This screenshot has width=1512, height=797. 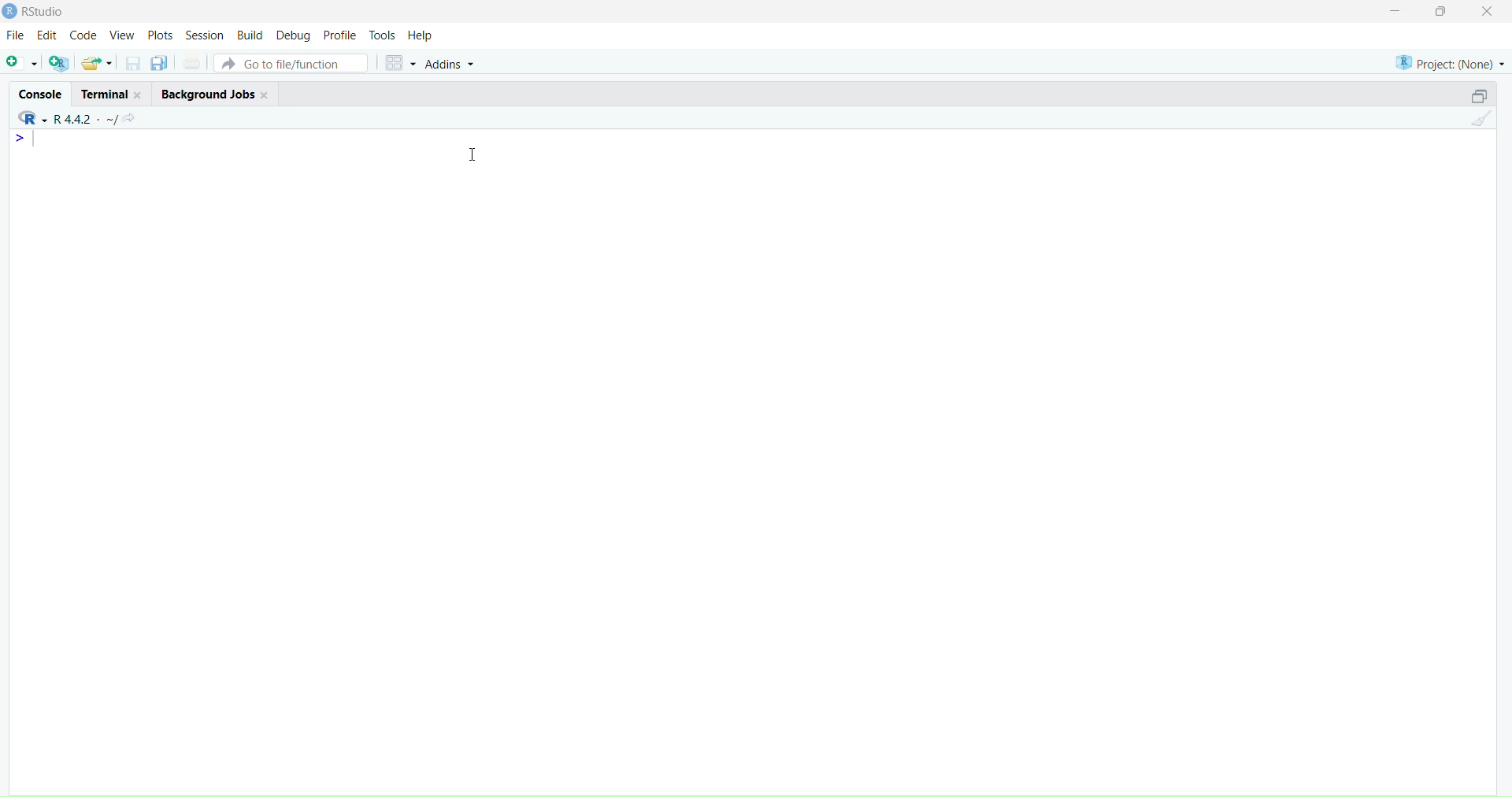 I want to click on build, so click(x=252, y=36).